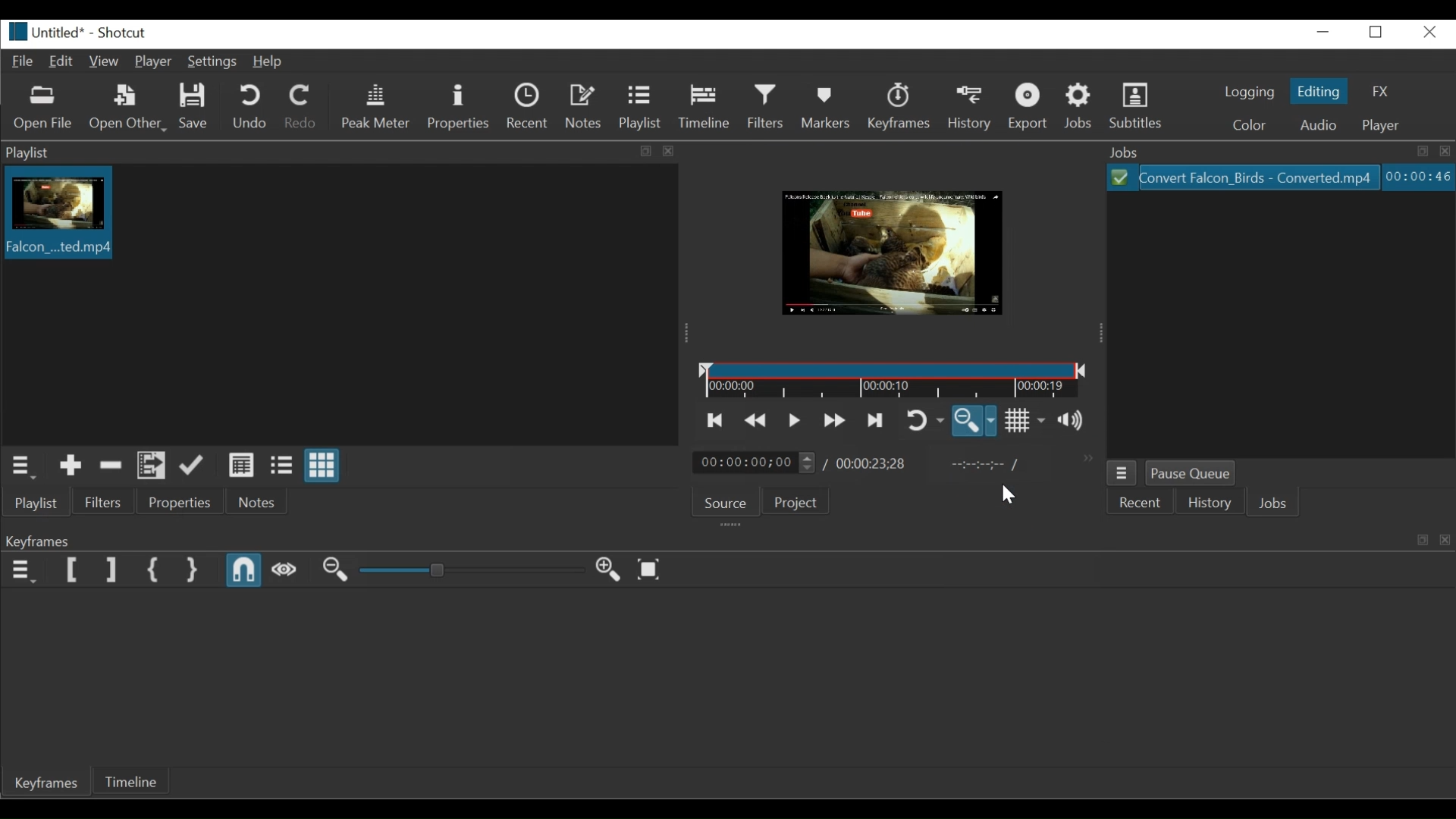 The image size is (1456, 819). What do you see at coordinates (585, 106) in the screenshot?
I see `Notes` at bounding box center [585, 106].